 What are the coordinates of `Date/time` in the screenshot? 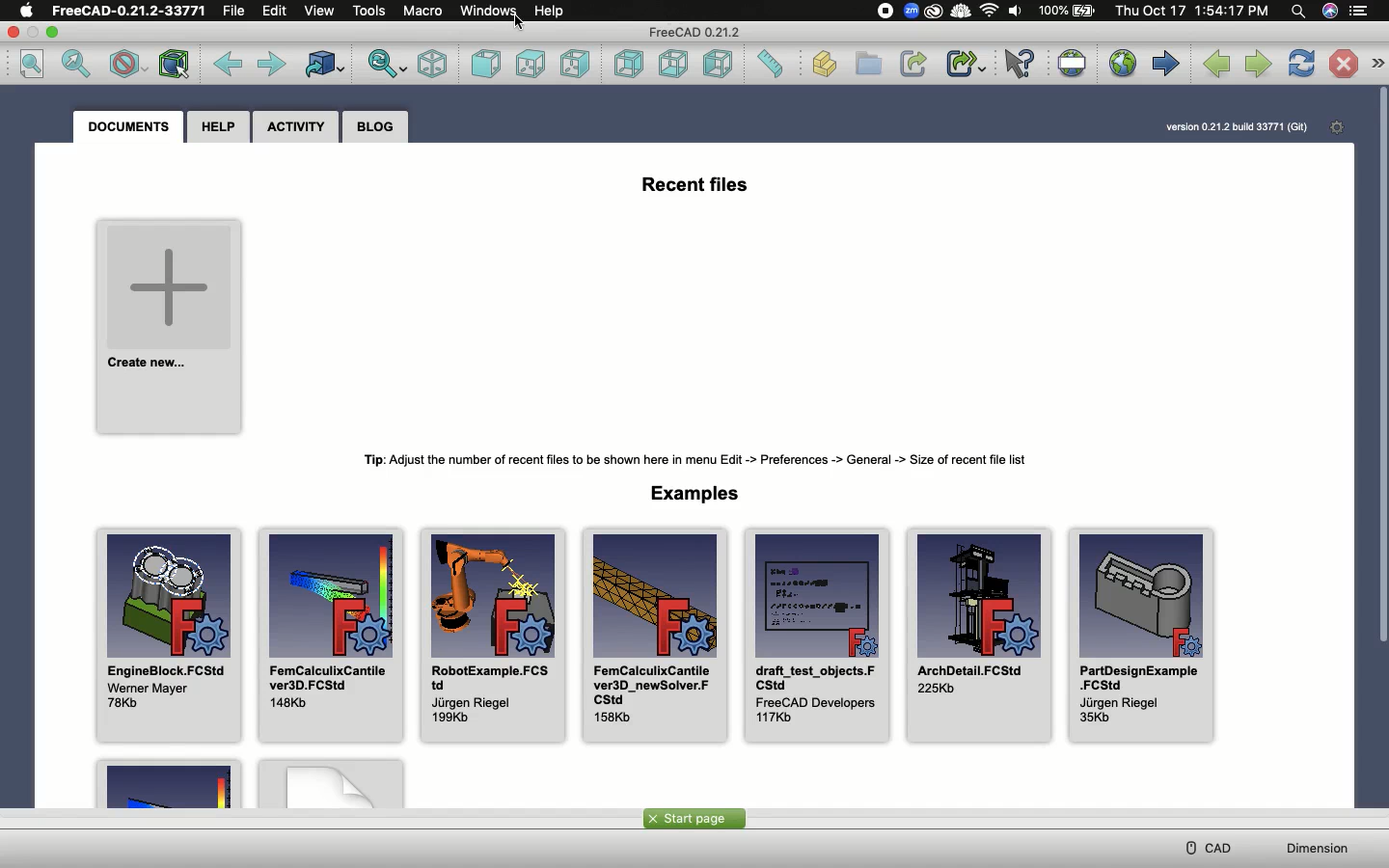 It's located at (1192, 11).